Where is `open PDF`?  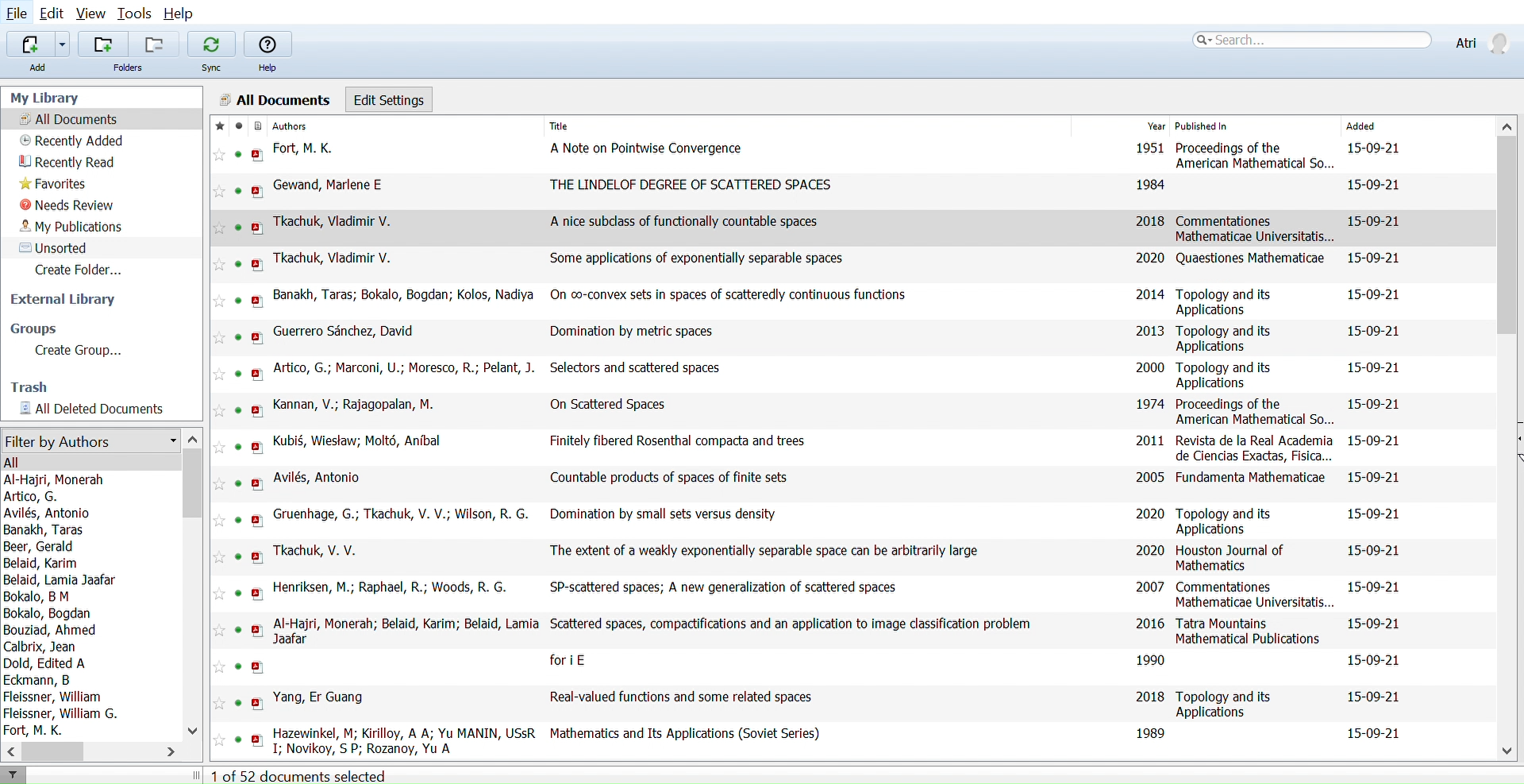
open PDF is located at coordinates (257, 375).